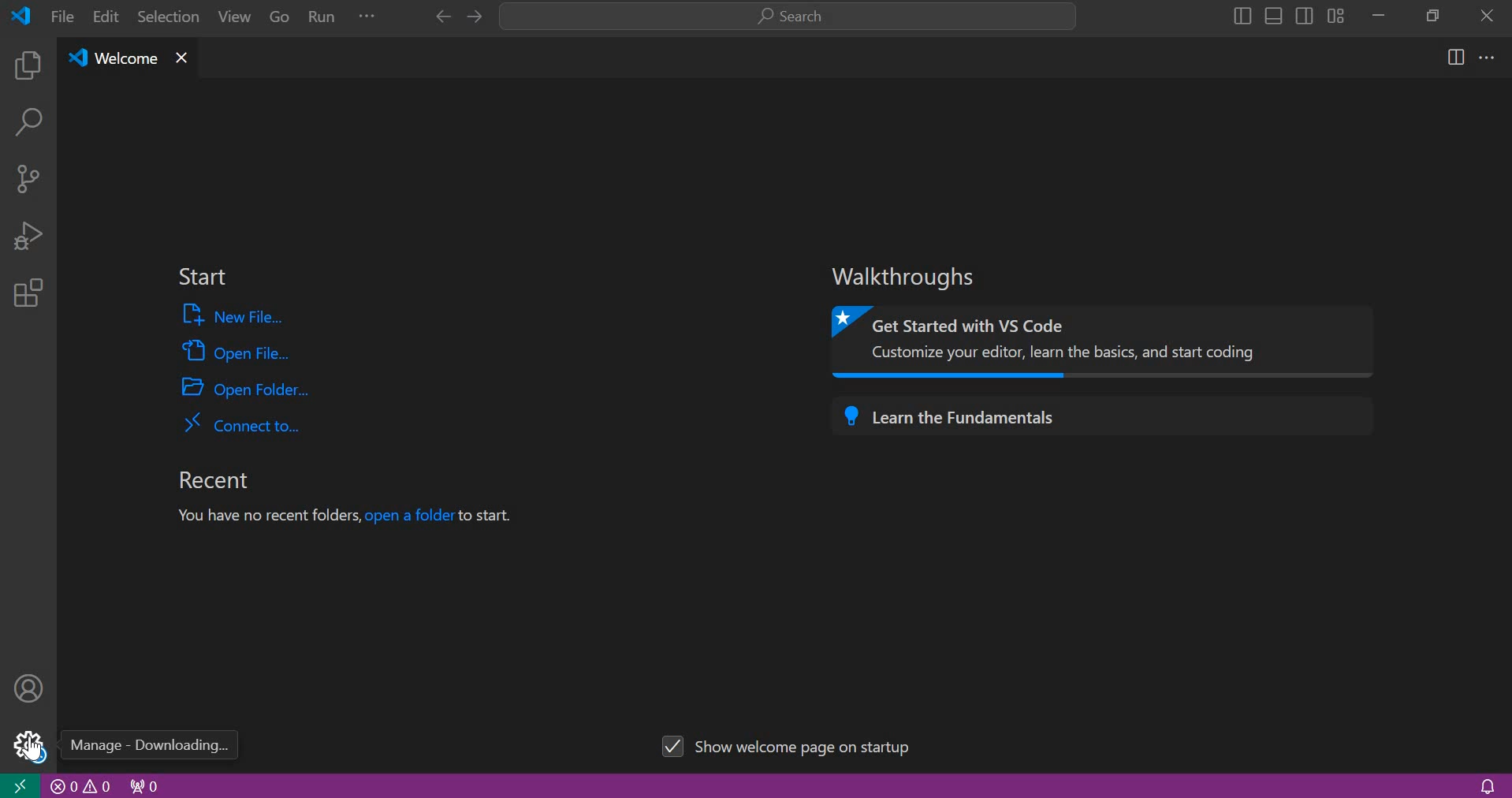  What do you see at coordinates (788, 17) in the screenshot?
I see `search` at bounding box center [788, 17].